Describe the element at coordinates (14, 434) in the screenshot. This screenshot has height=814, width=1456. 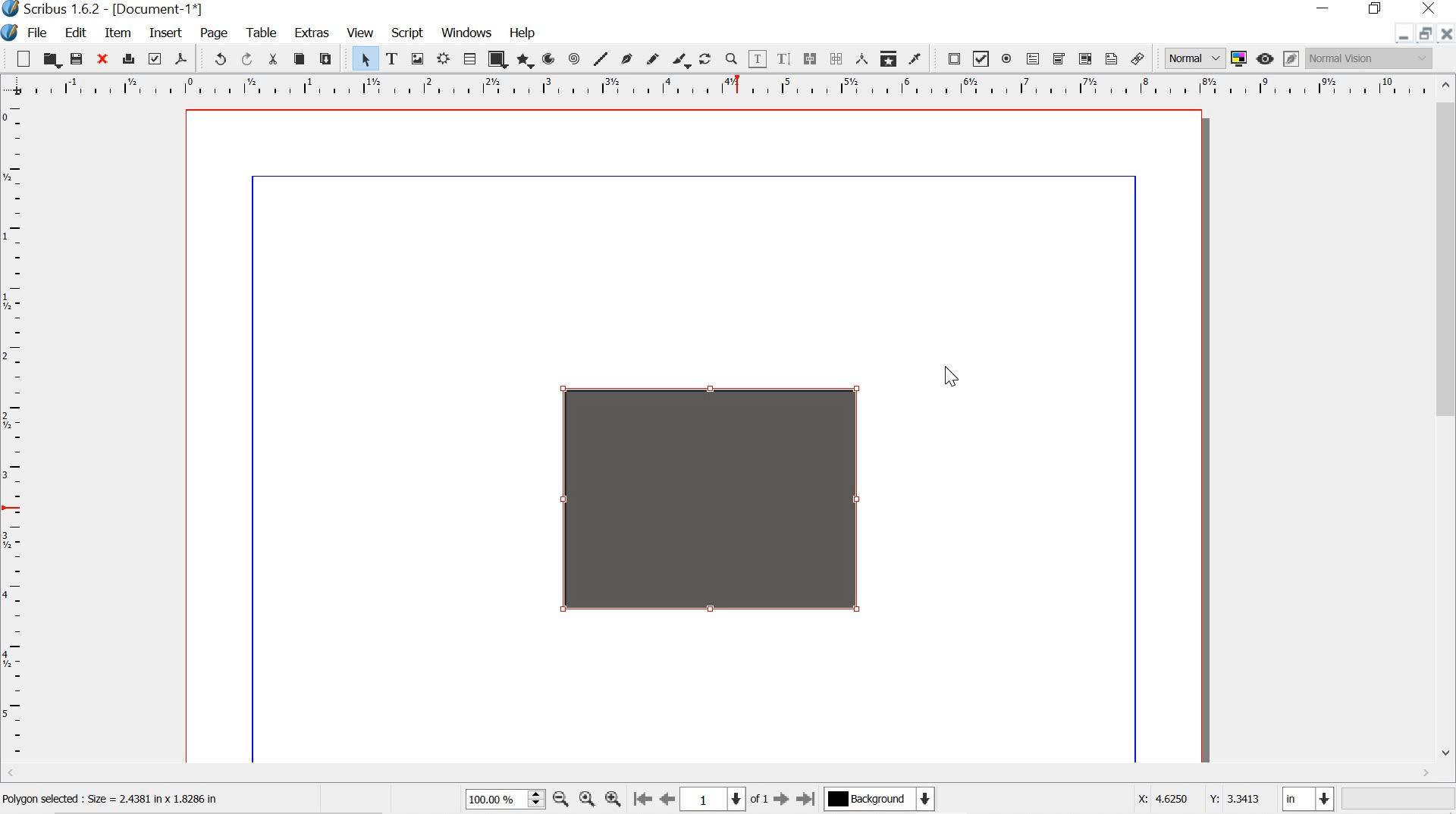
I see `ruler` at that location.